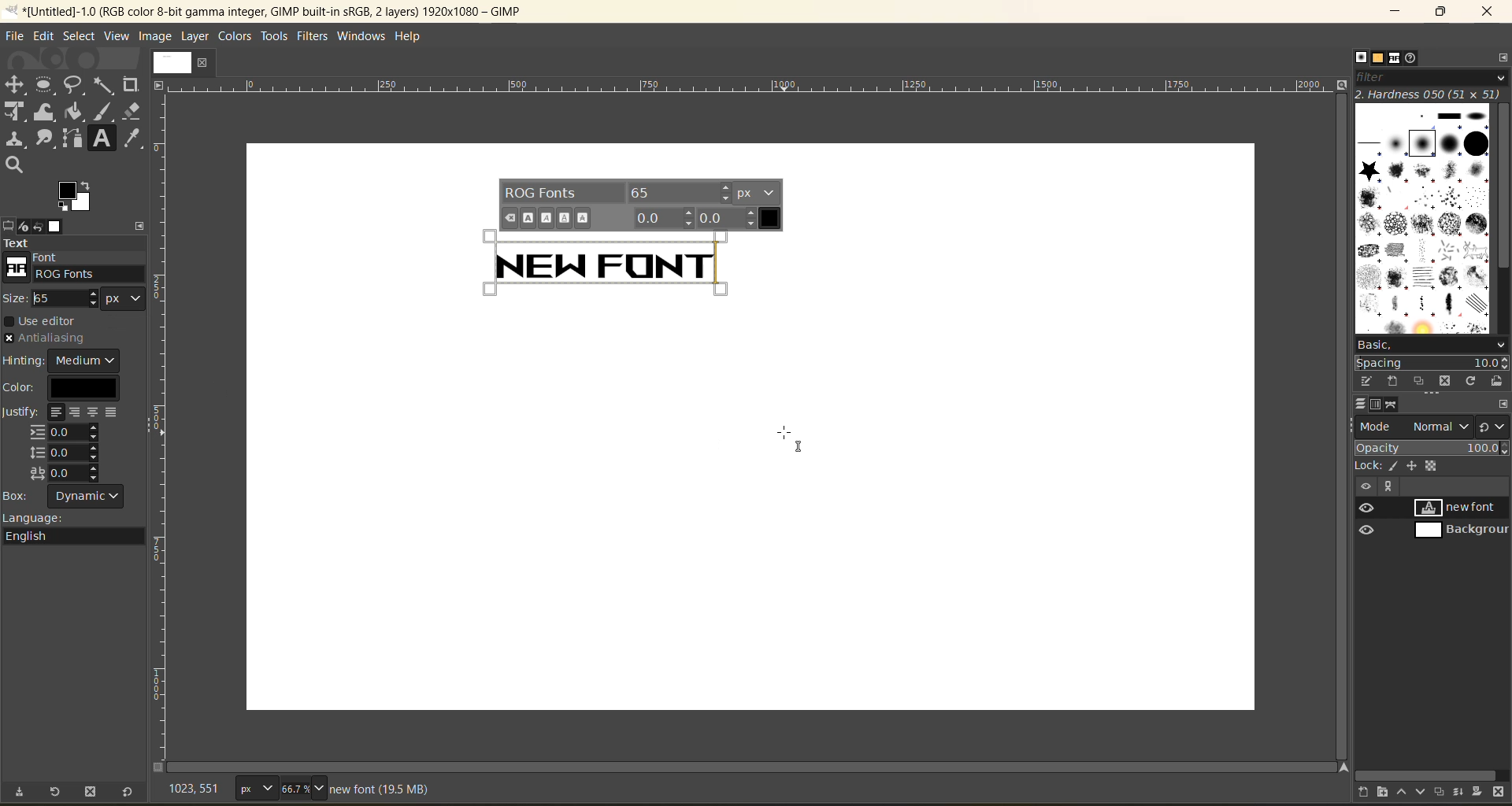 This screenshot has width=1512, height=806. Describe the element at coordinates (799, 440) in the screenshot. I see `cursor` at that location.